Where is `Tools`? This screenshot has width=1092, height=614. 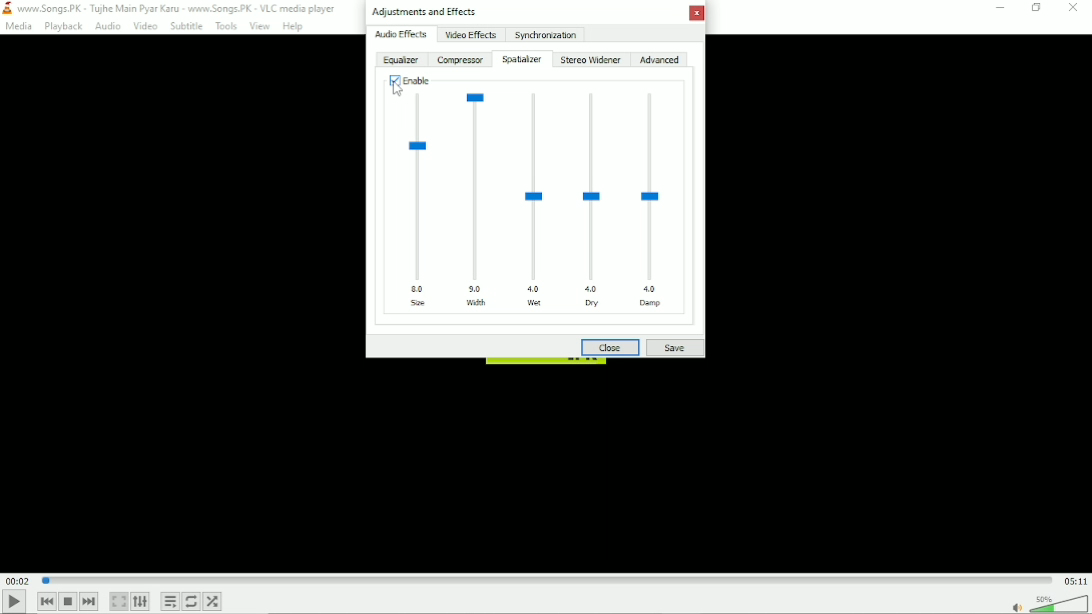
Tools is located at coordinates (226, 27).